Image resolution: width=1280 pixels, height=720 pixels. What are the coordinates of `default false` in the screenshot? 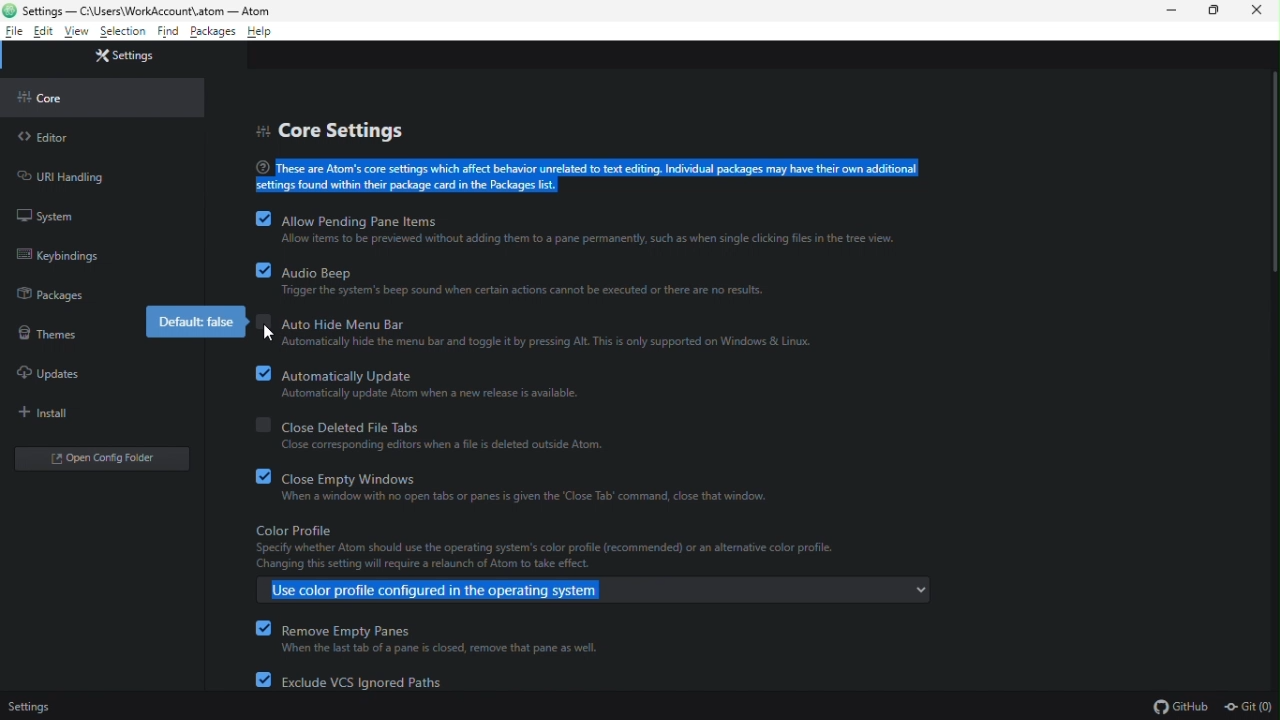 It's located at (199, 321).